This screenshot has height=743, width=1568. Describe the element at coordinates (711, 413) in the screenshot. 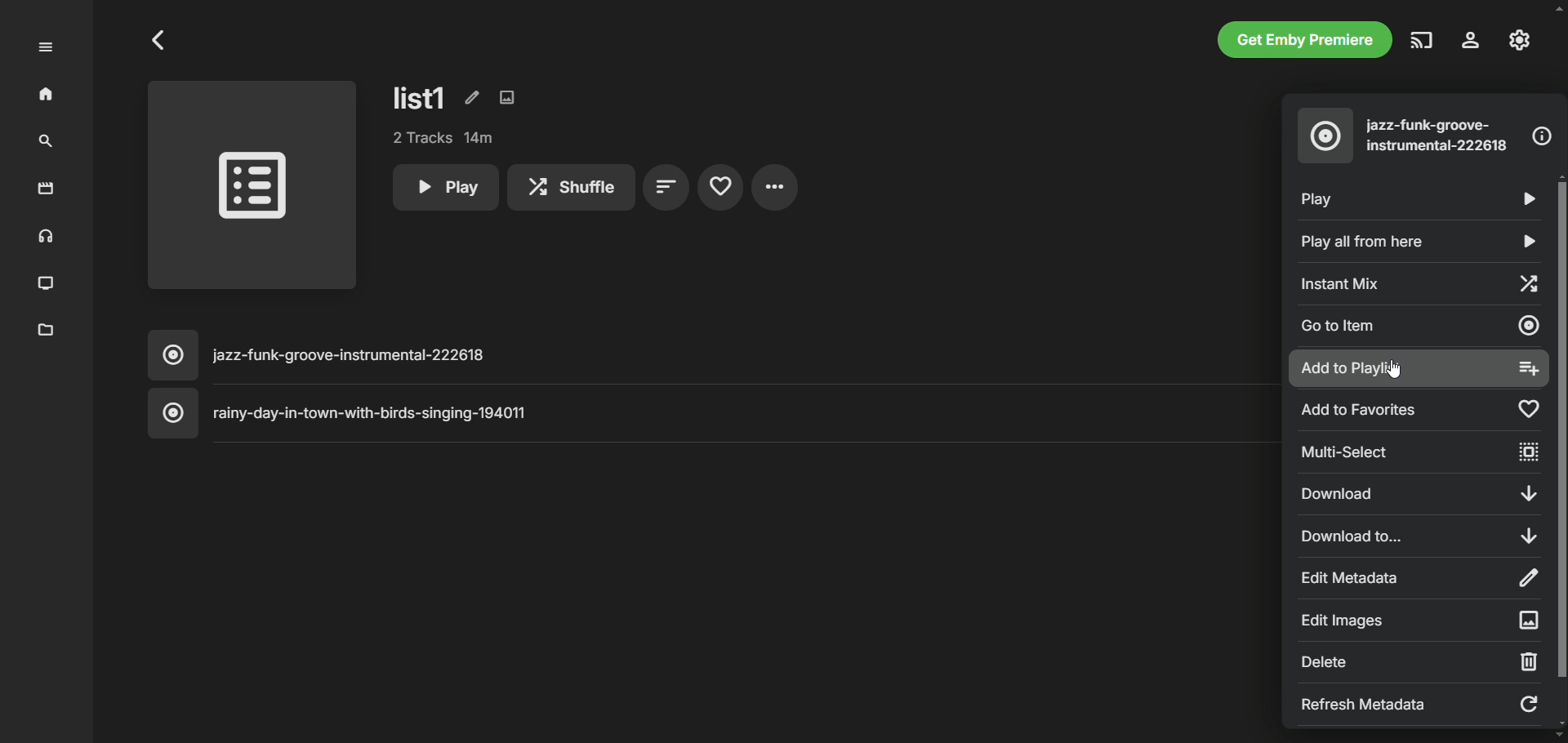

I see `music title` at that location.